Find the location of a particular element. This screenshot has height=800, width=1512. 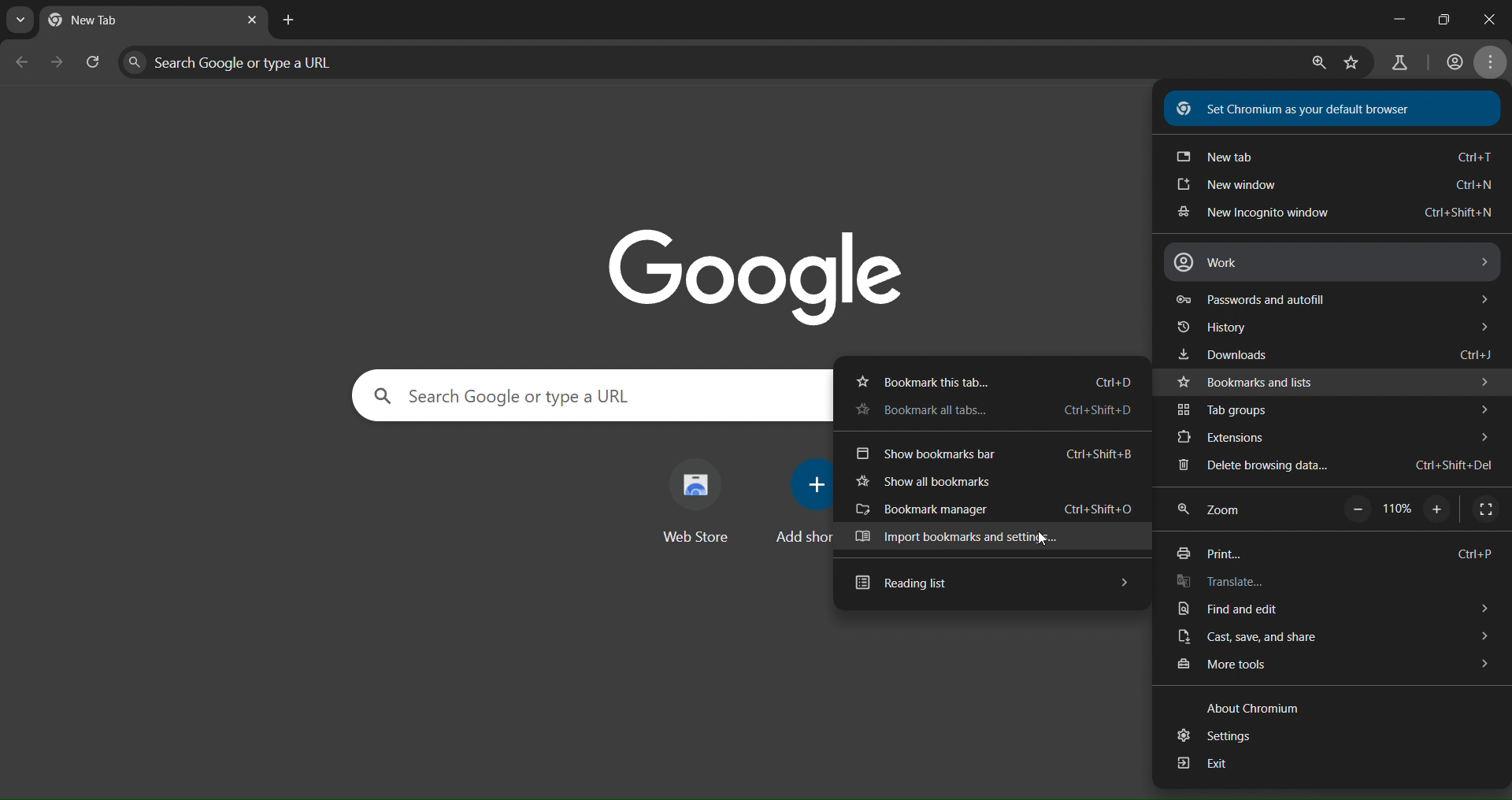

Search Google or type a URL is located at coordinates (595, 396).